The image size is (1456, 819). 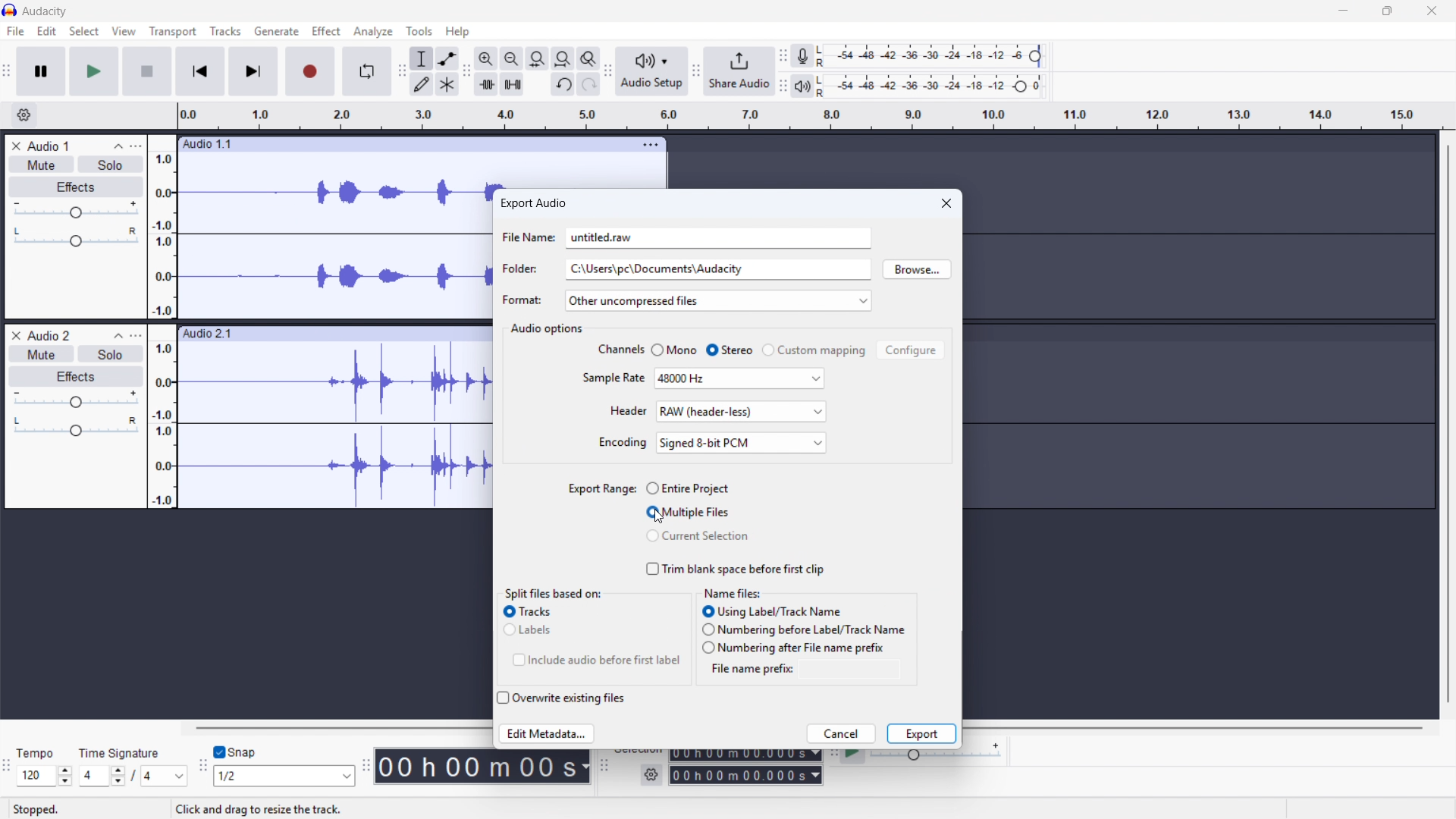 What do you see at coordinates (512, 58) in the screenshot?
I see `Zoom out` at bounding box center [512, 58].